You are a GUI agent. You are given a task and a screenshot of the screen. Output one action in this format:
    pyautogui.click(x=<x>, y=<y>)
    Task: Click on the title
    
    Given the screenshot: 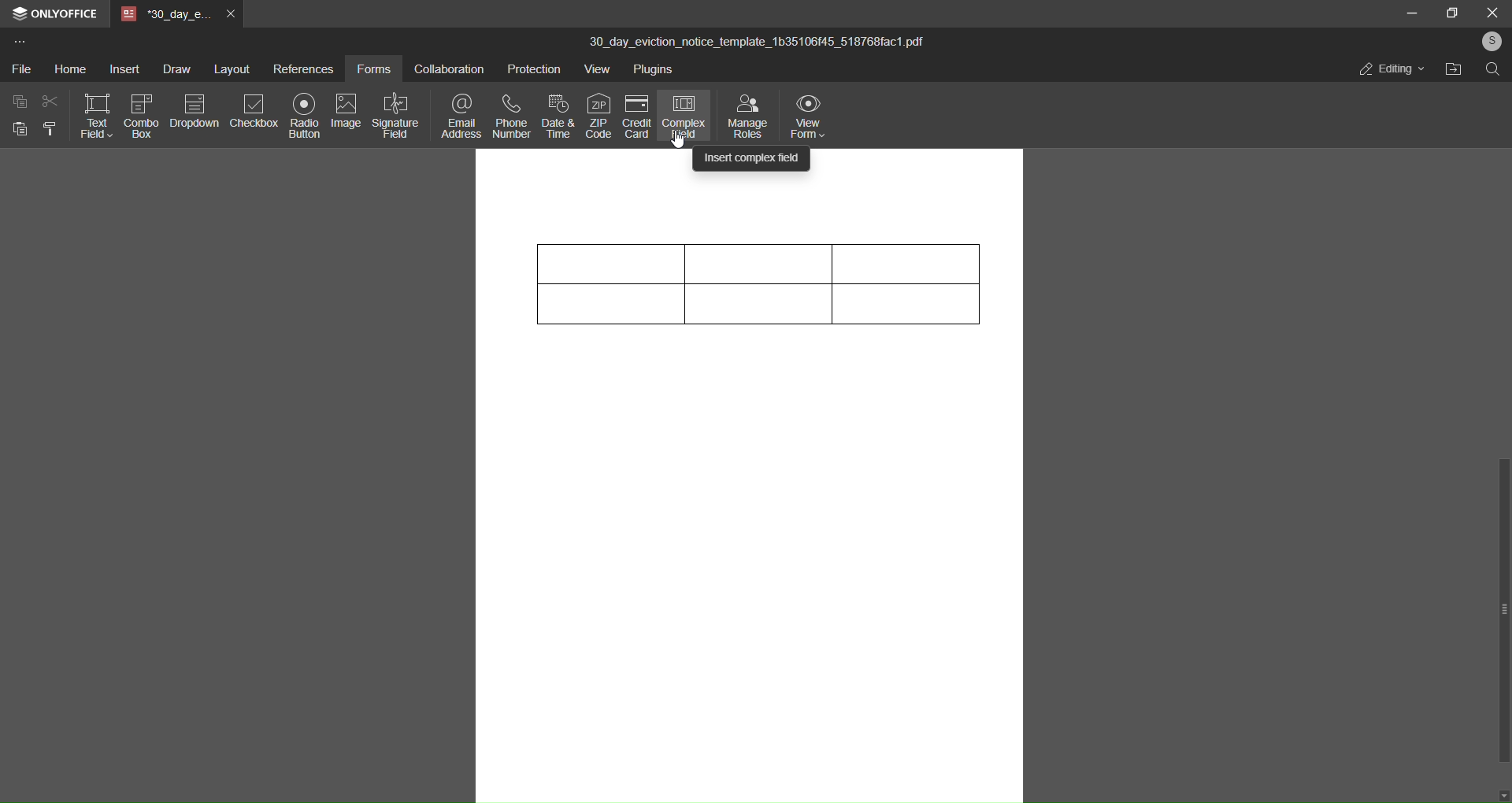 What is the action you would take?
    pyautogui.click(x=757, y=43)
    